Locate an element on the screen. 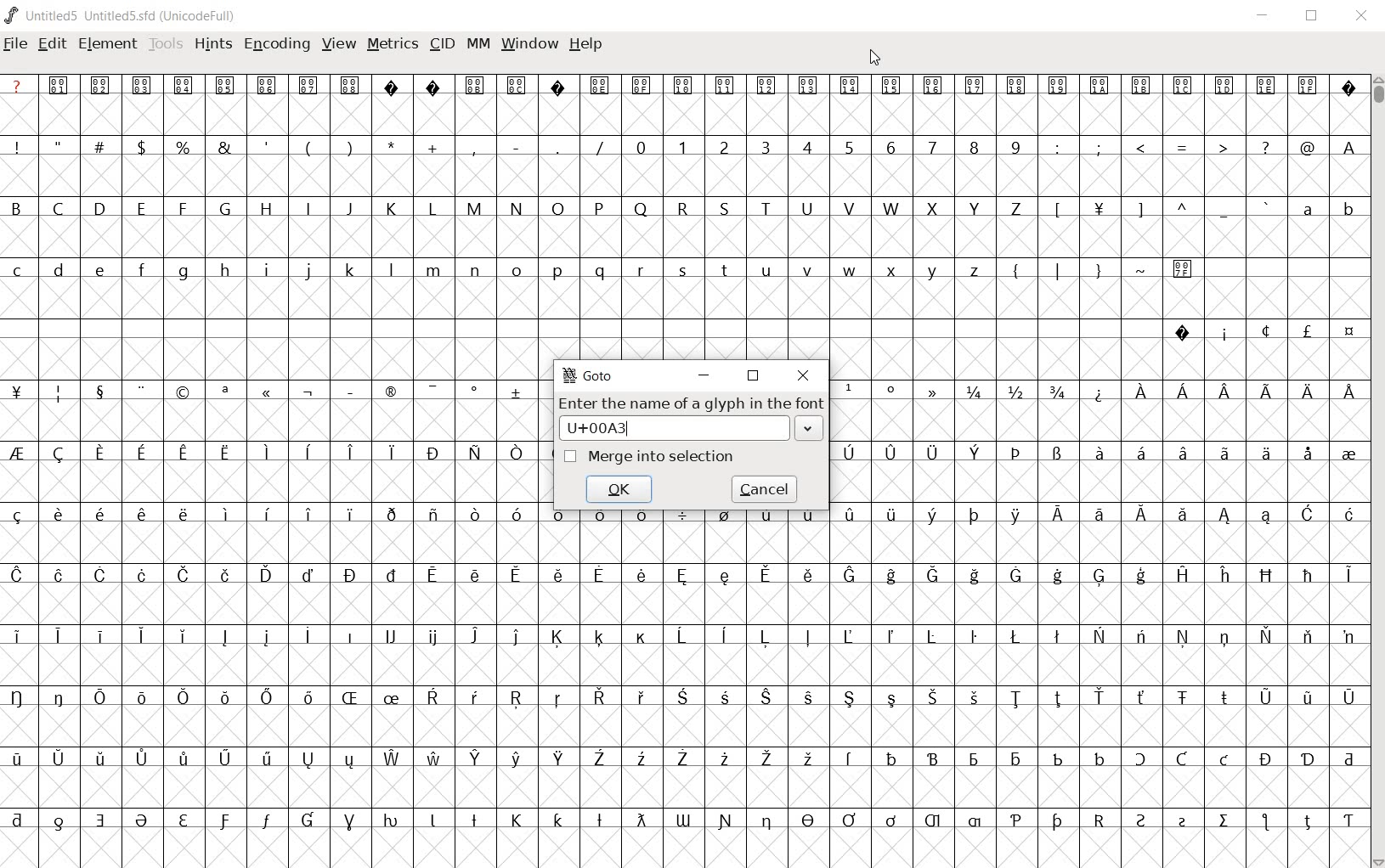  Symbol is located at coordinates (766, 822).